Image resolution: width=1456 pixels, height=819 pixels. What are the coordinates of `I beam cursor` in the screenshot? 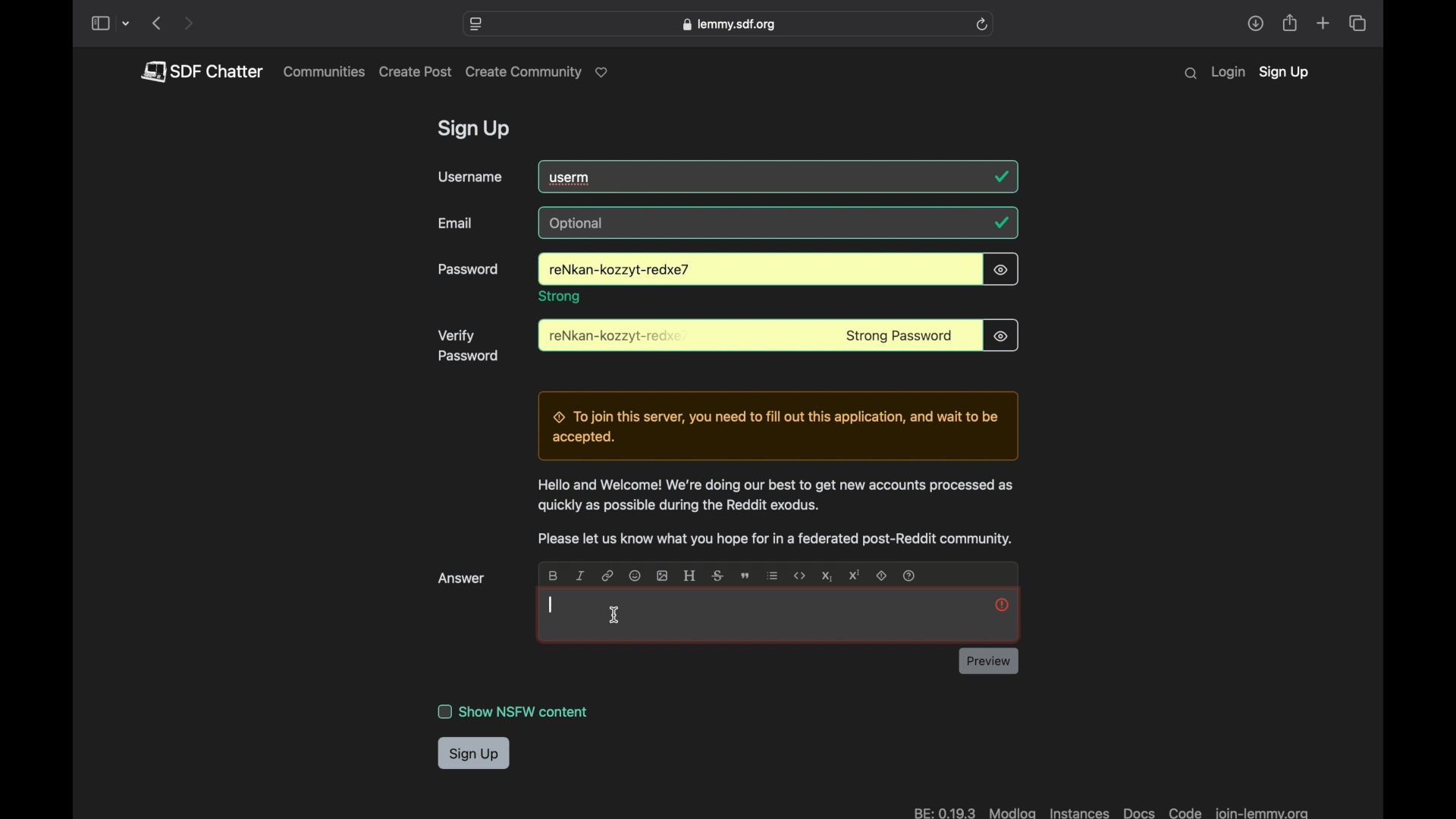 It's located at (615, 617).